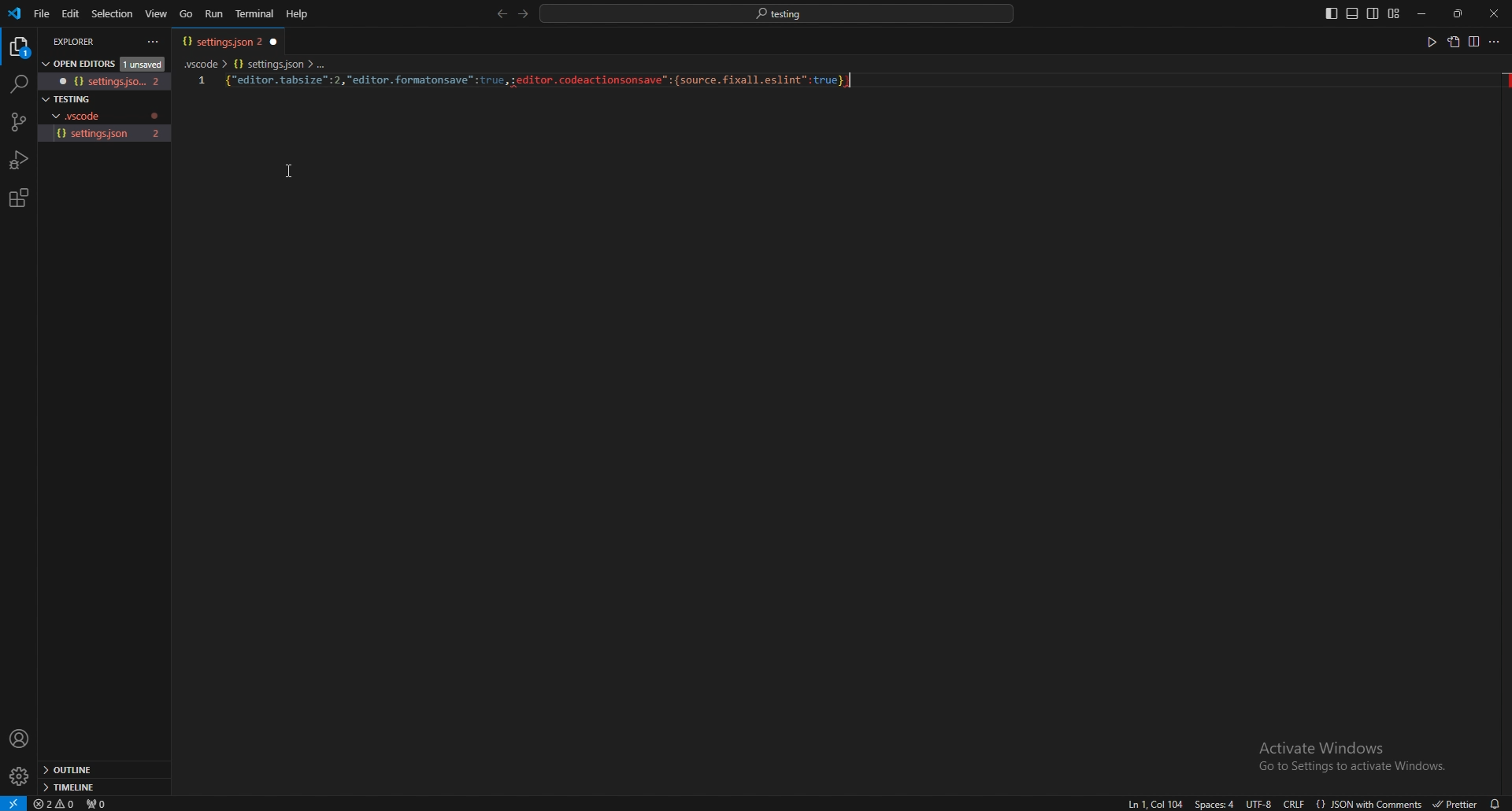 This screenshot has width=1512, height=811. I want to click on source code, so click(17, 123).